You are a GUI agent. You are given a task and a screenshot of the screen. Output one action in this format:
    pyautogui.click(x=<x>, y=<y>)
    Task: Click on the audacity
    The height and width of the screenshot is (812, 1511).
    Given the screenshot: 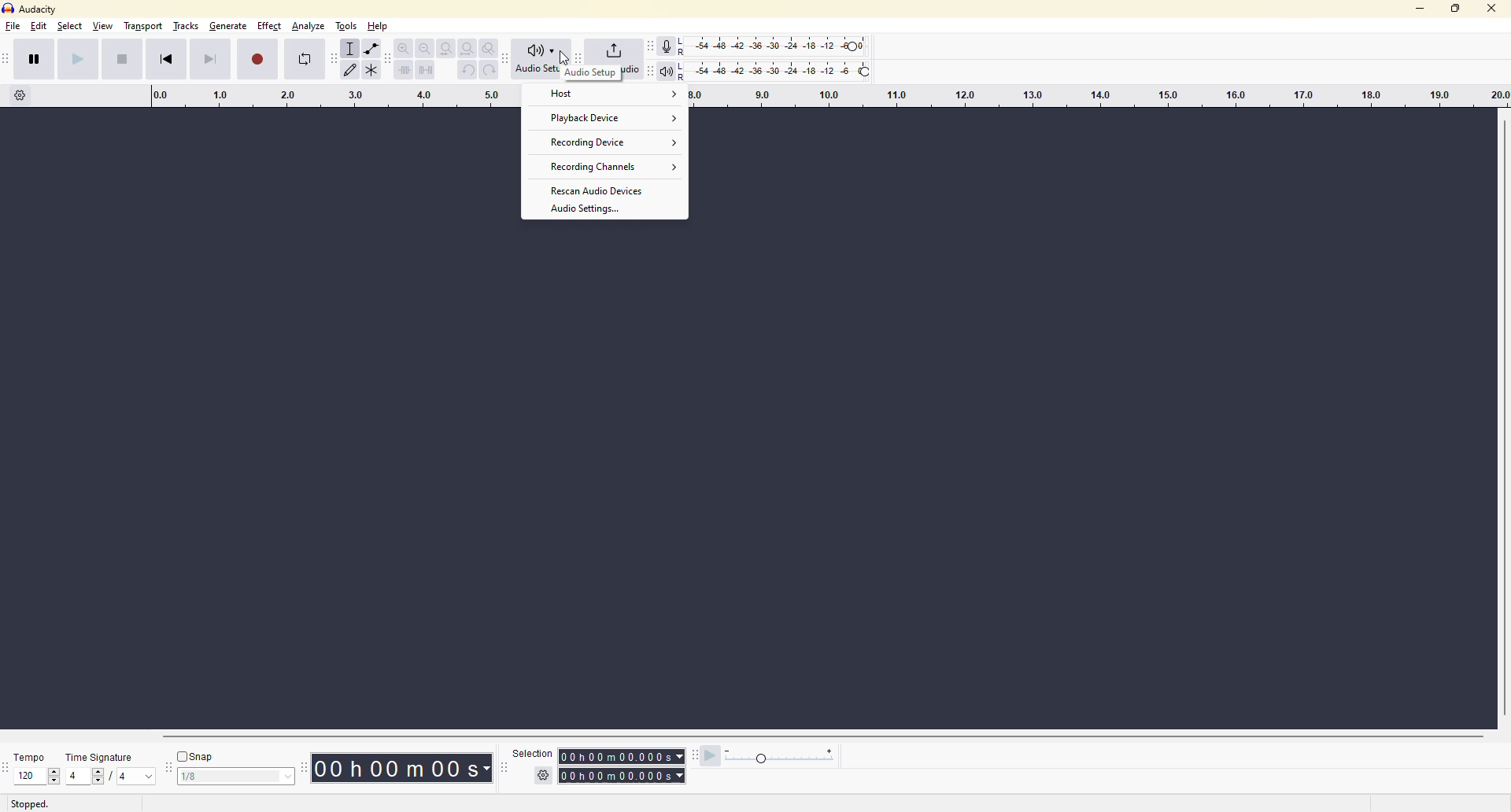 What is the action you would take?
    pyautogui.click(x=33, y=8)
    